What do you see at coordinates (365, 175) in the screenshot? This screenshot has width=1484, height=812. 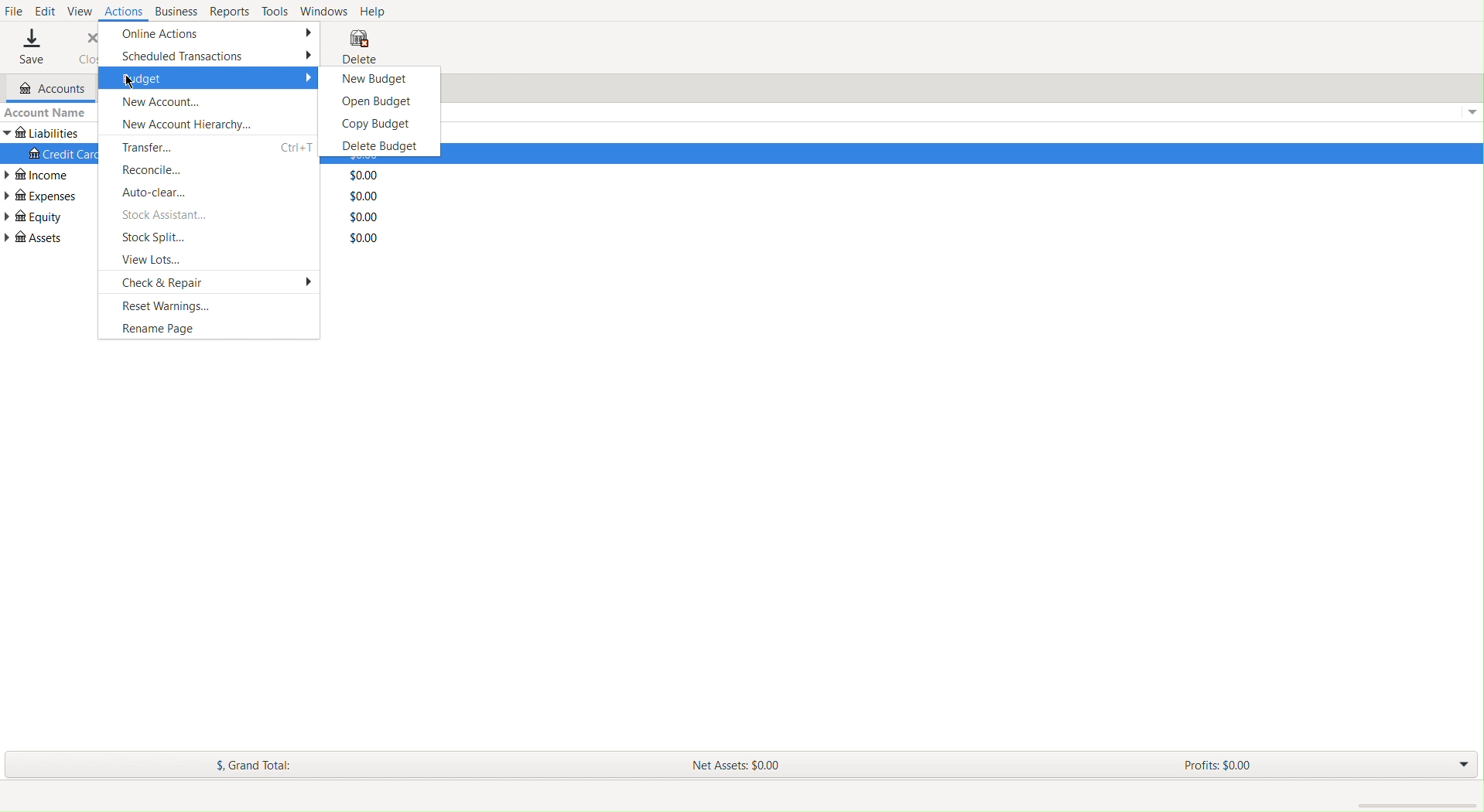 I see `Total` at bounding box center [365, 175].